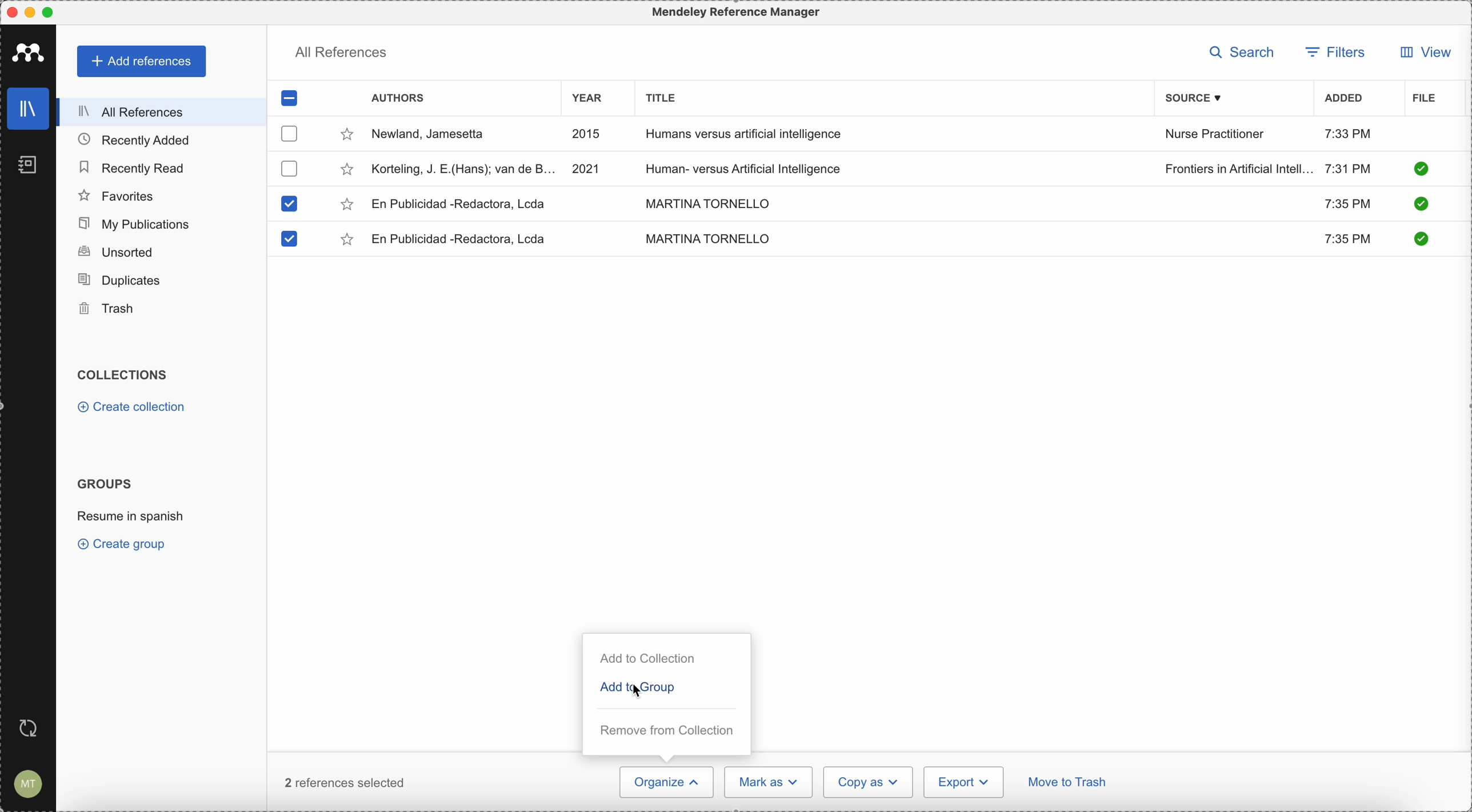  What do you see at coordinates (464, 169) in the screenshot?
I see `Korteling, J.E.(Hans)` at bounding box center [464, 169].